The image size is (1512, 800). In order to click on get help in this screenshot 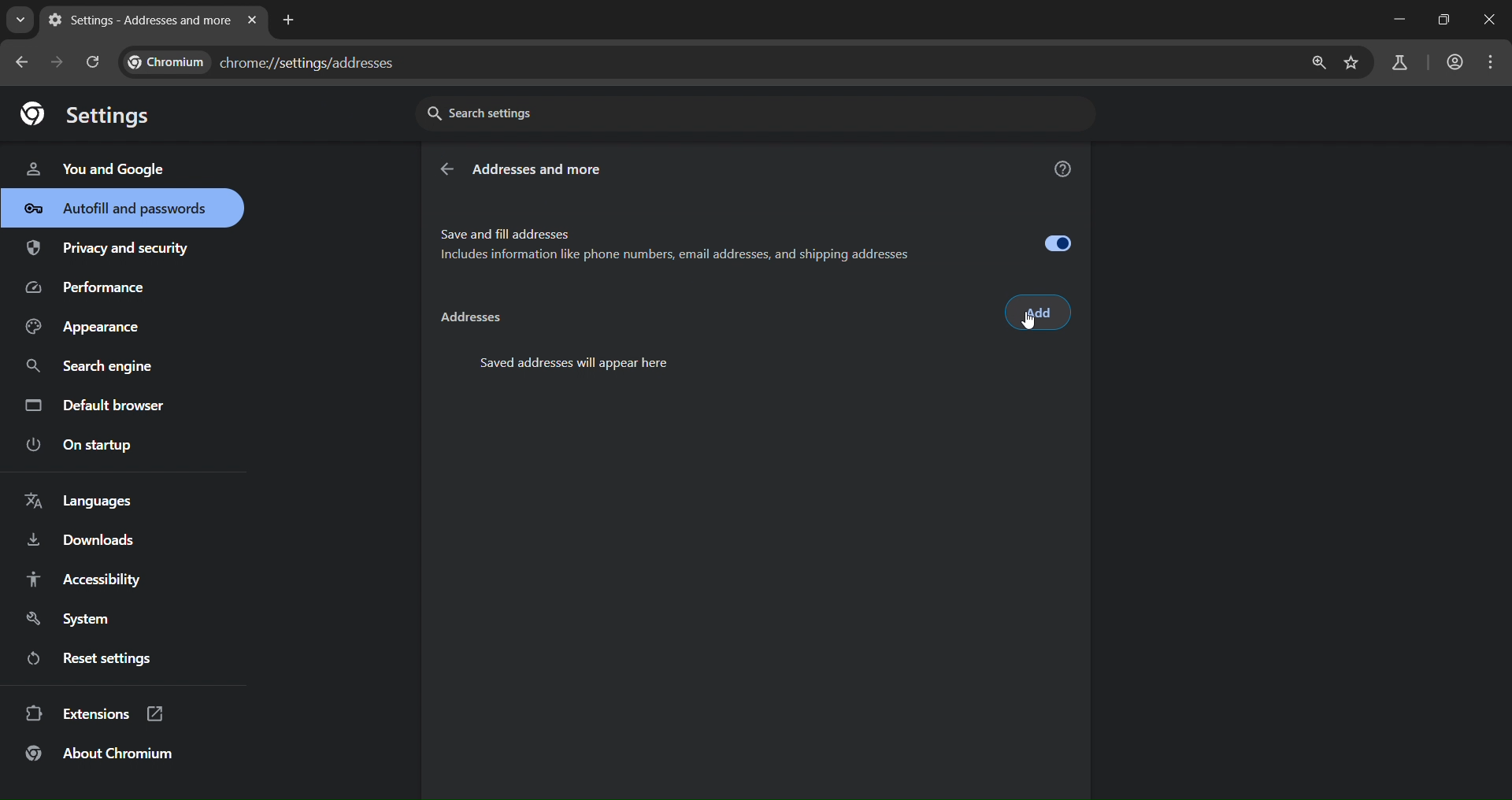, I will do `click(1064, 172)`.